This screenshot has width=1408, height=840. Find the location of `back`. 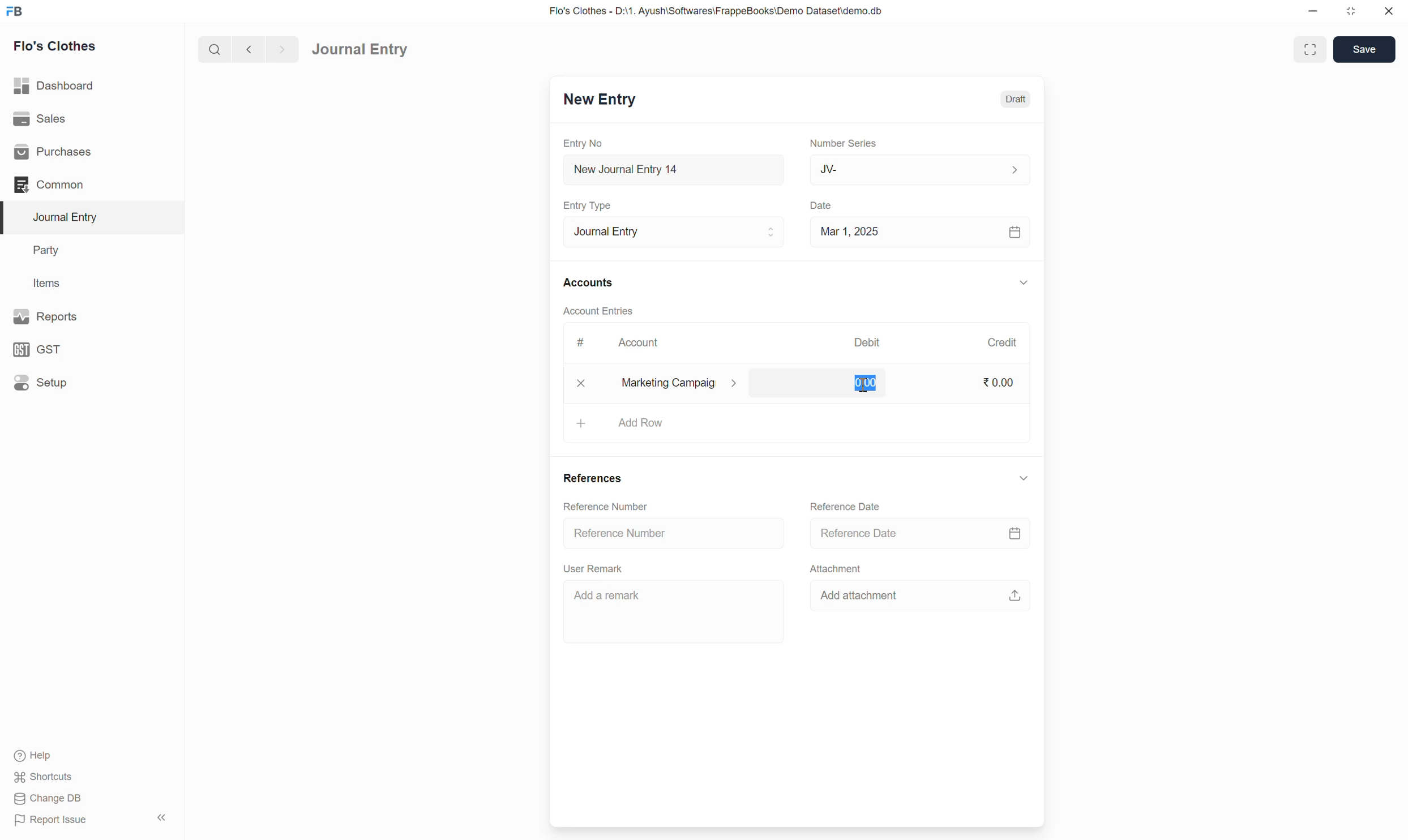

back is located at coordinates (246, 49).